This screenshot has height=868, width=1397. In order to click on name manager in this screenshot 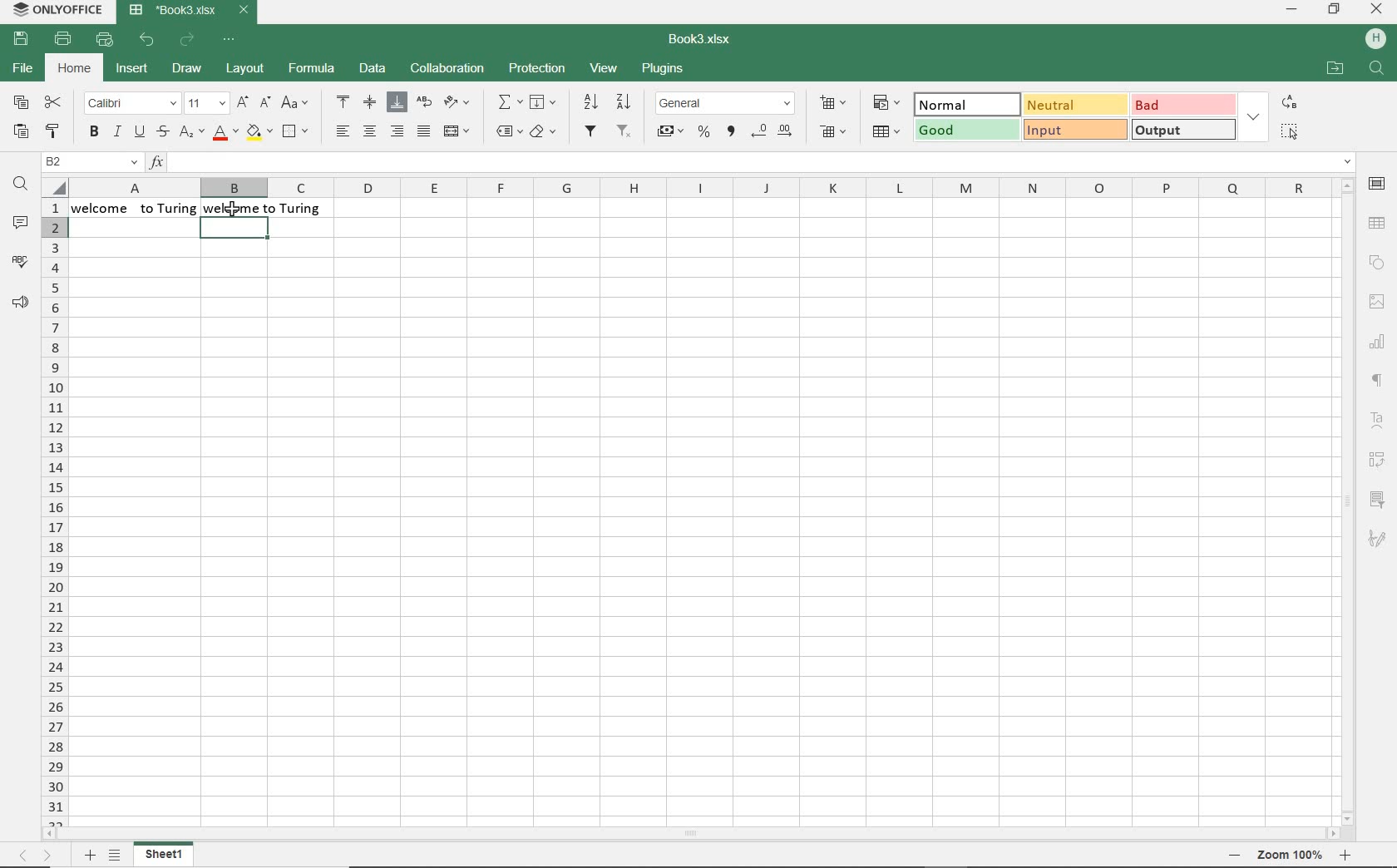, I will do `click(91, 162)`.